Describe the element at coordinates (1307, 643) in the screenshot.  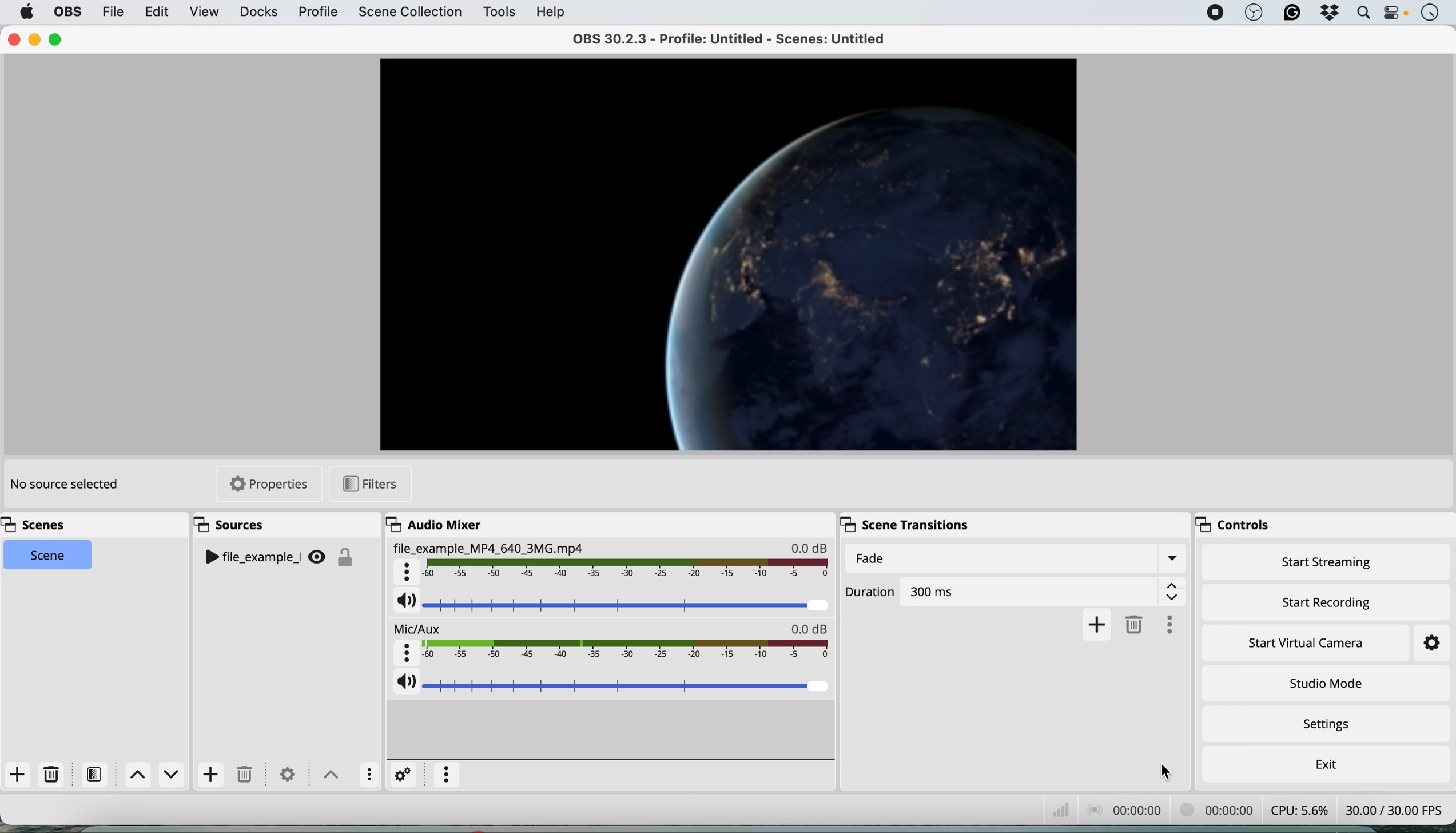
I see `start virtual camera` at that location.